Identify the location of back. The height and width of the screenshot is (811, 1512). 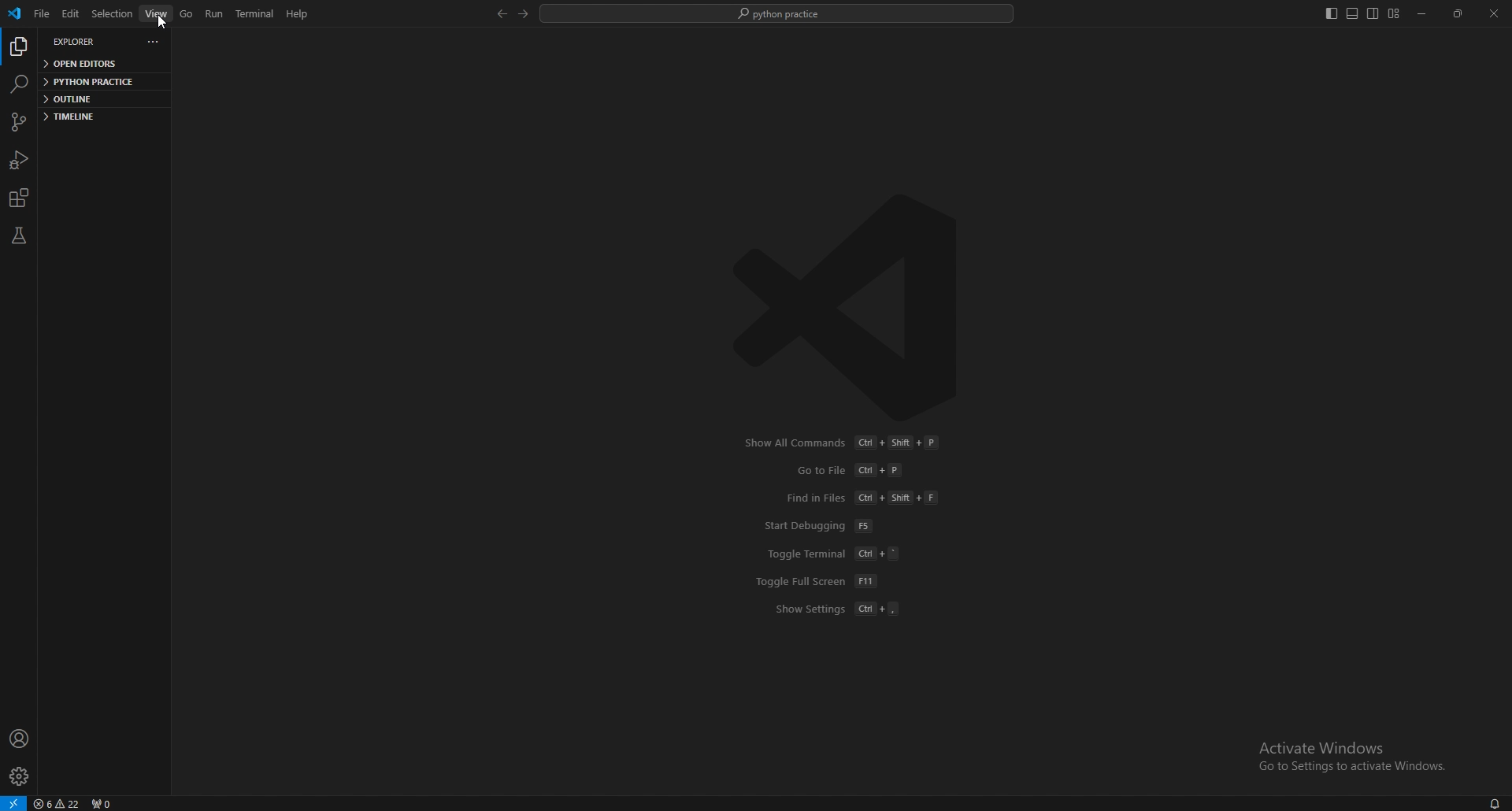
(500, 14).